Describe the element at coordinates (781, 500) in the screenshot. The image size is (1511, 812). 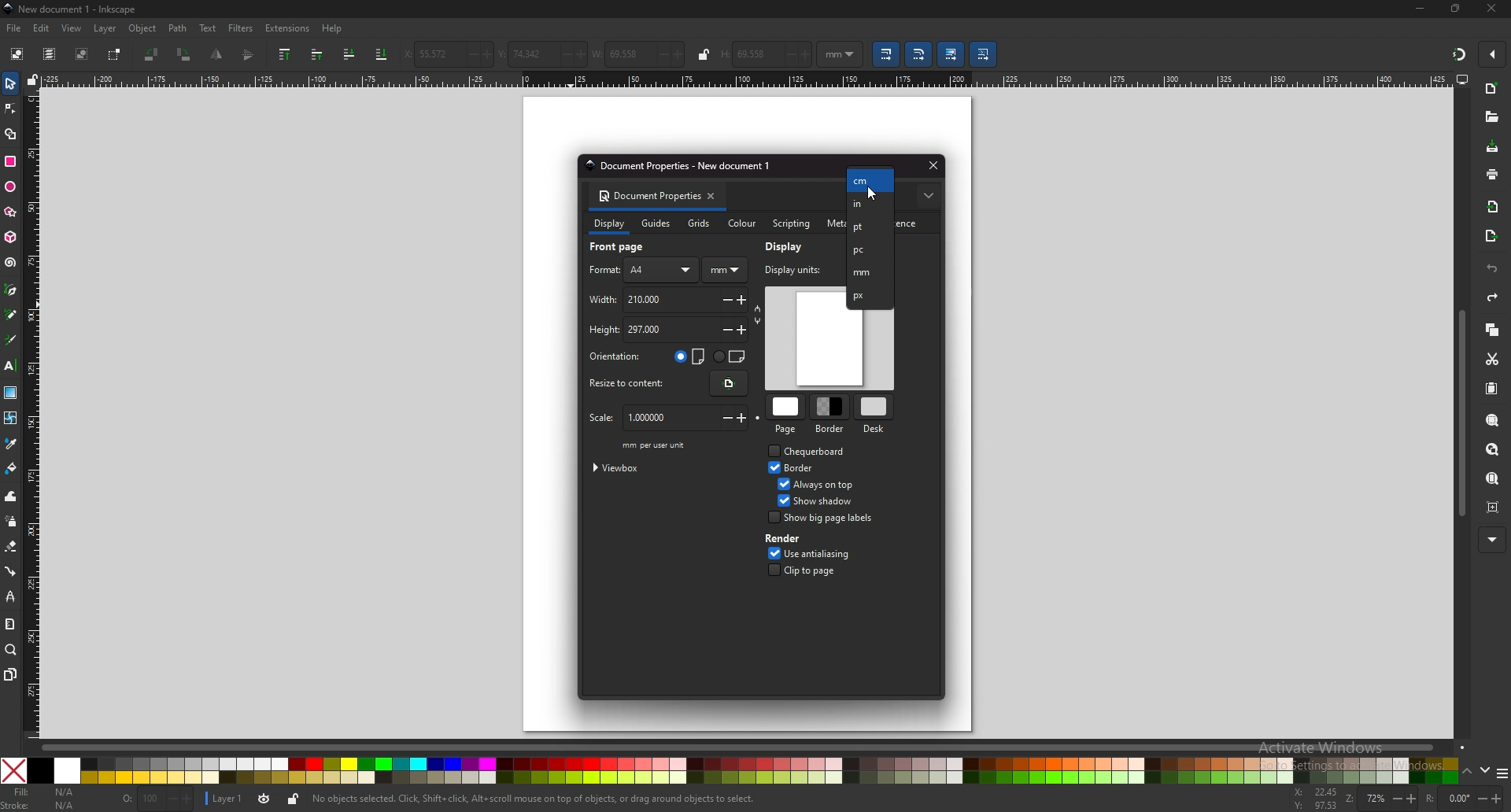
I see `Checkbox` at that location.